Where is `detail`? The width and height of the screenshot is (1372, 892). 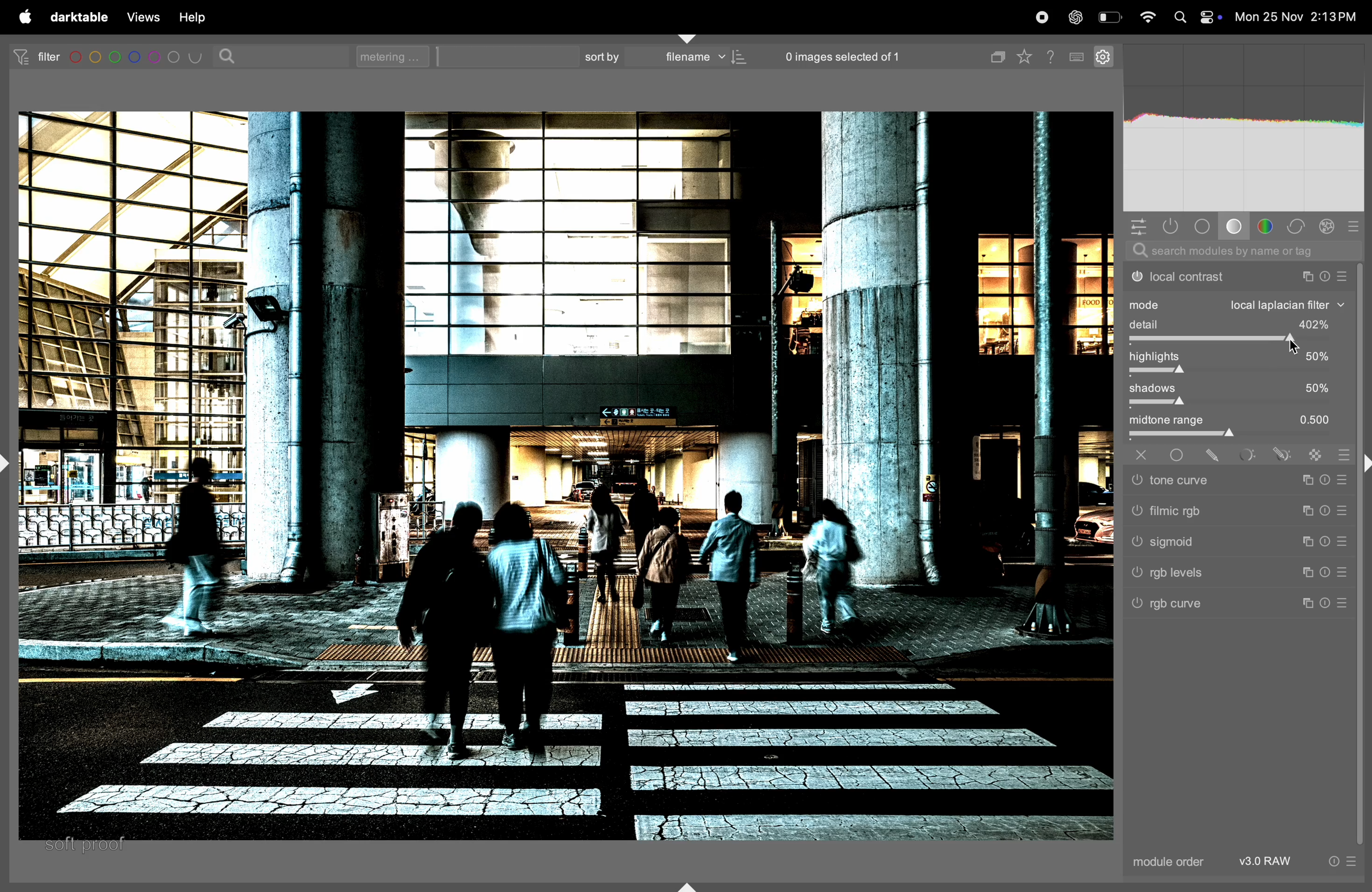 detail is located at coordinates (1239, 325).